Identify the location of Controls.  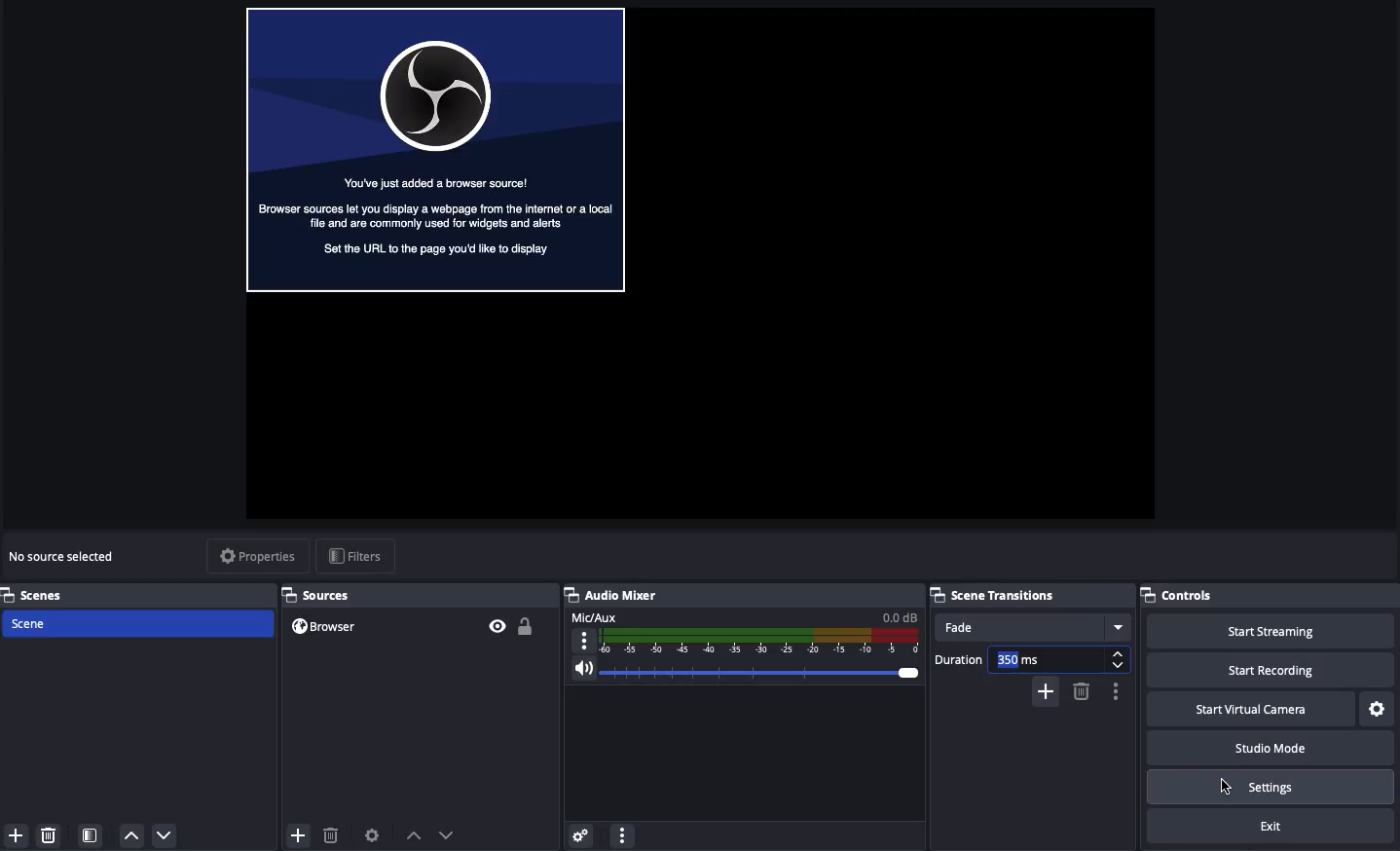
(1185, 596).